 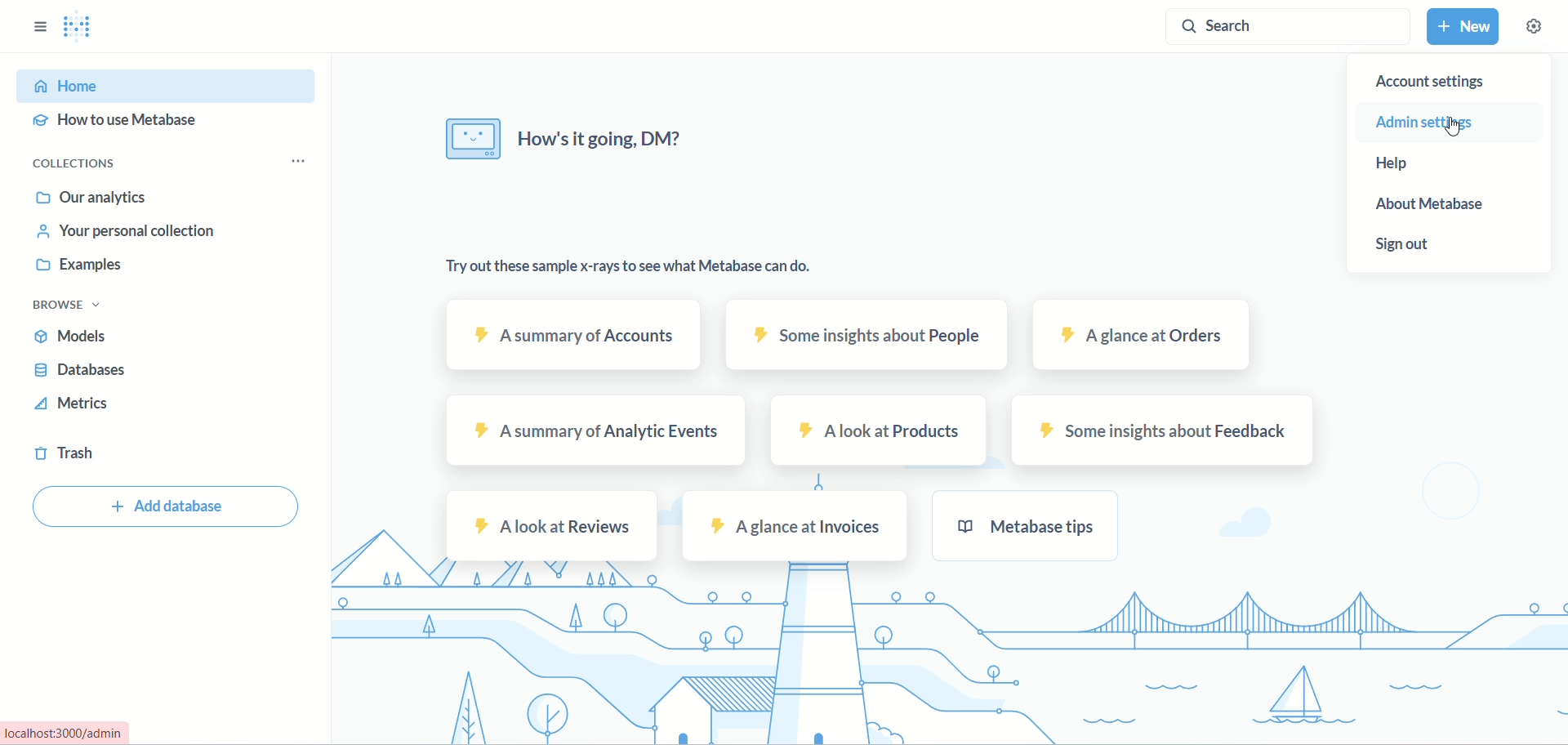 What do you see at coordinates (1415, 247) in the screenshot?
I see `sign out` at bounding box center [1415, 247].